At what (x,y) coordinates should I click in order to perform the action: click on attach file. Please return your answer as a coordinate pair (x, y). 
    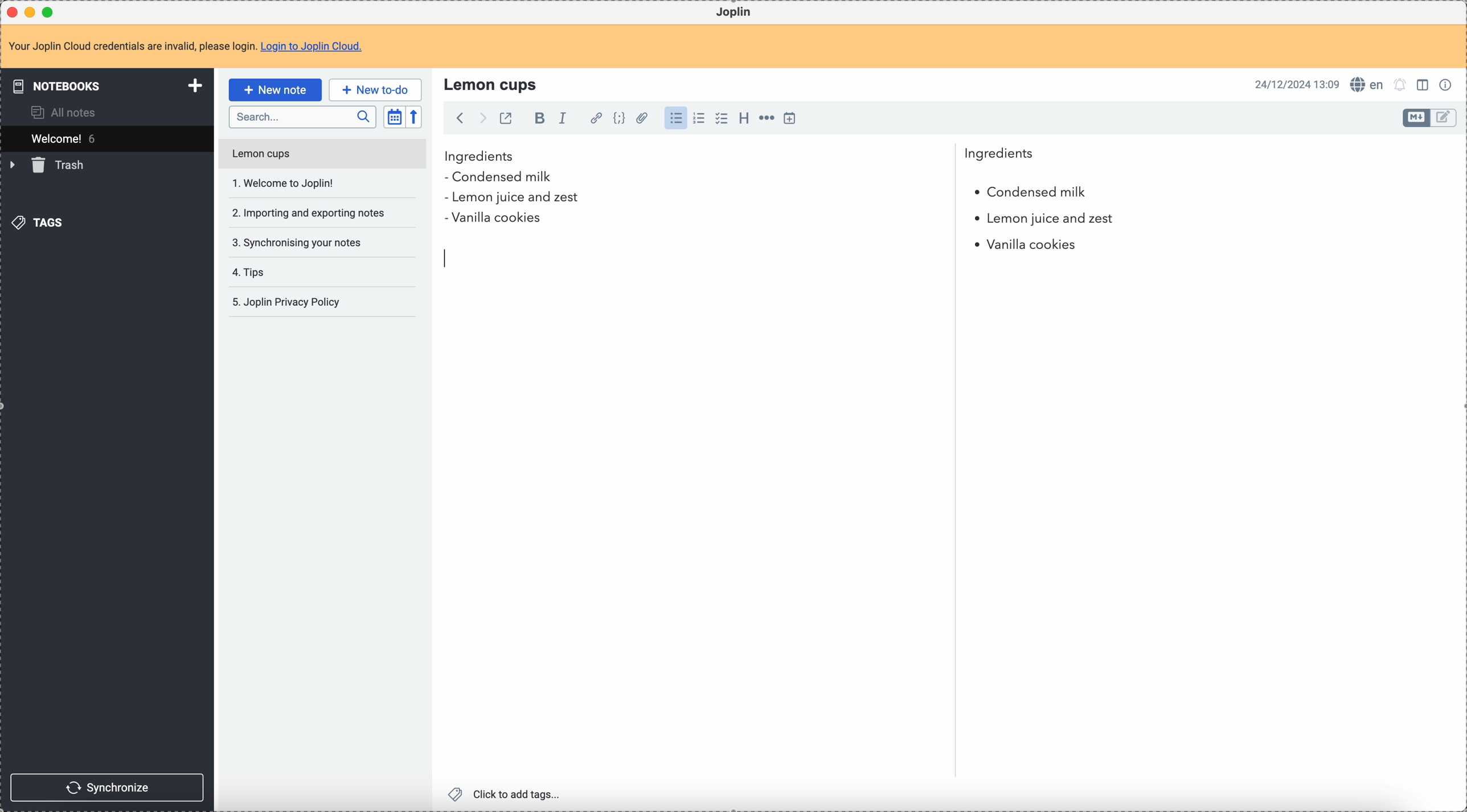
    Looking at the image, I should click on (640, 119).